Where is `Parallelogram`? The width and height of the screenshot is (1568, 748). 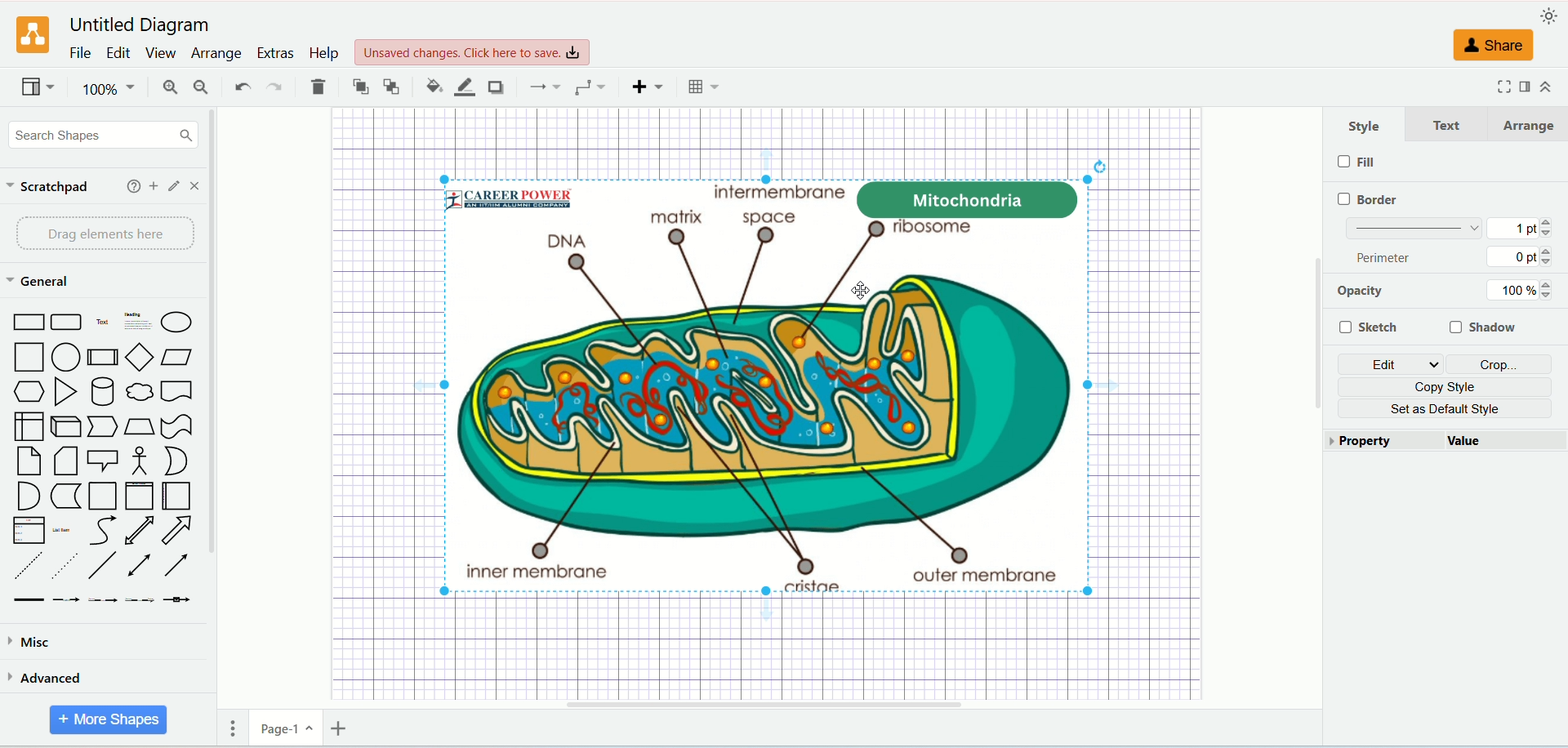
Parallelogram is located at coordinates (180, 359).